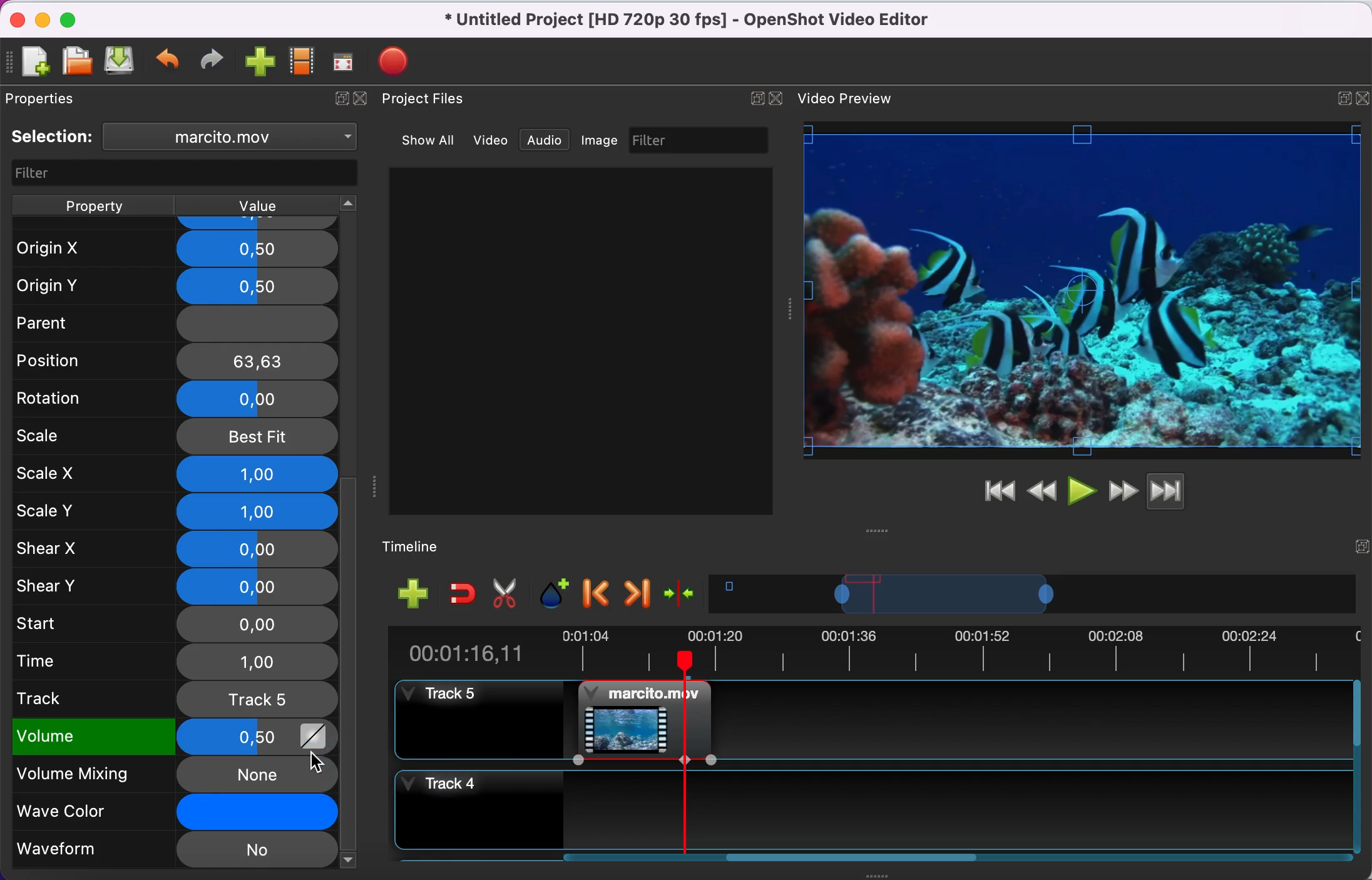 The image size is (1372, 880). I want to click on timelime, so click(421, 546).